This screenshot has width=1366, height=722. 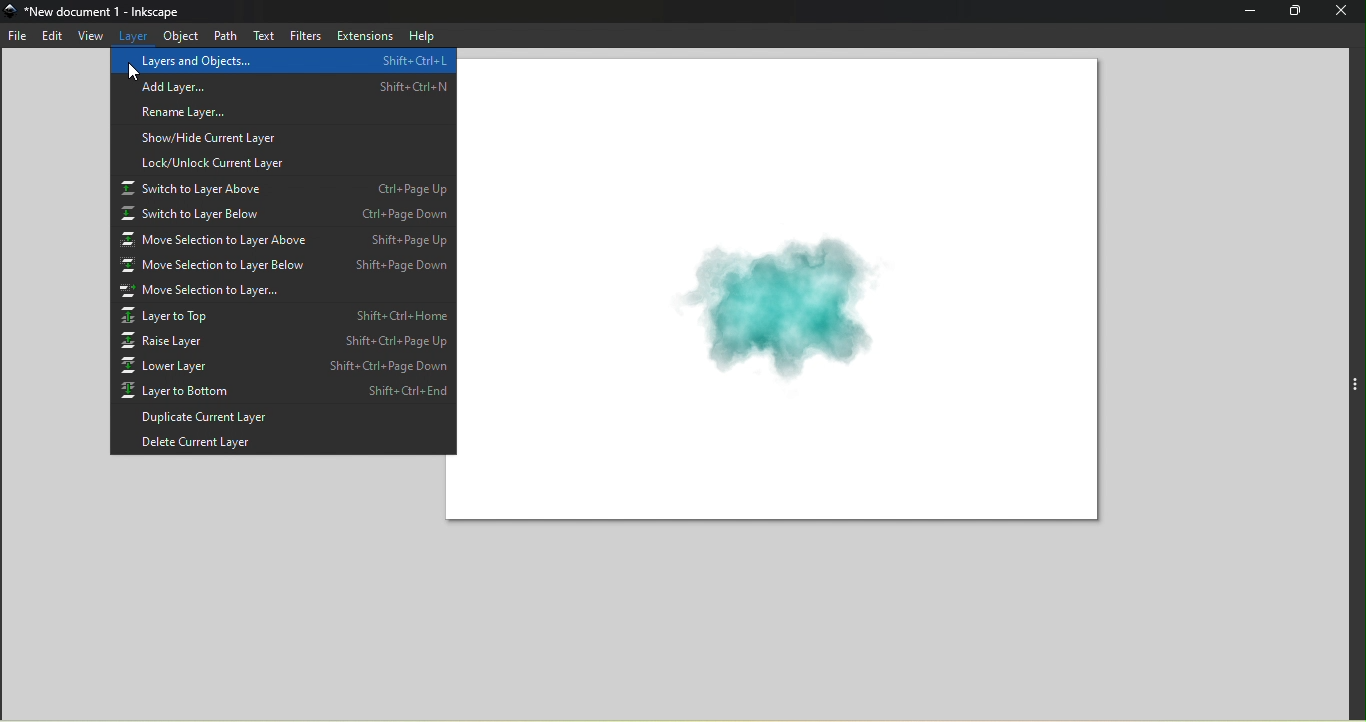 I want to click on Move selection to layer above, so click(x=286, y=241).